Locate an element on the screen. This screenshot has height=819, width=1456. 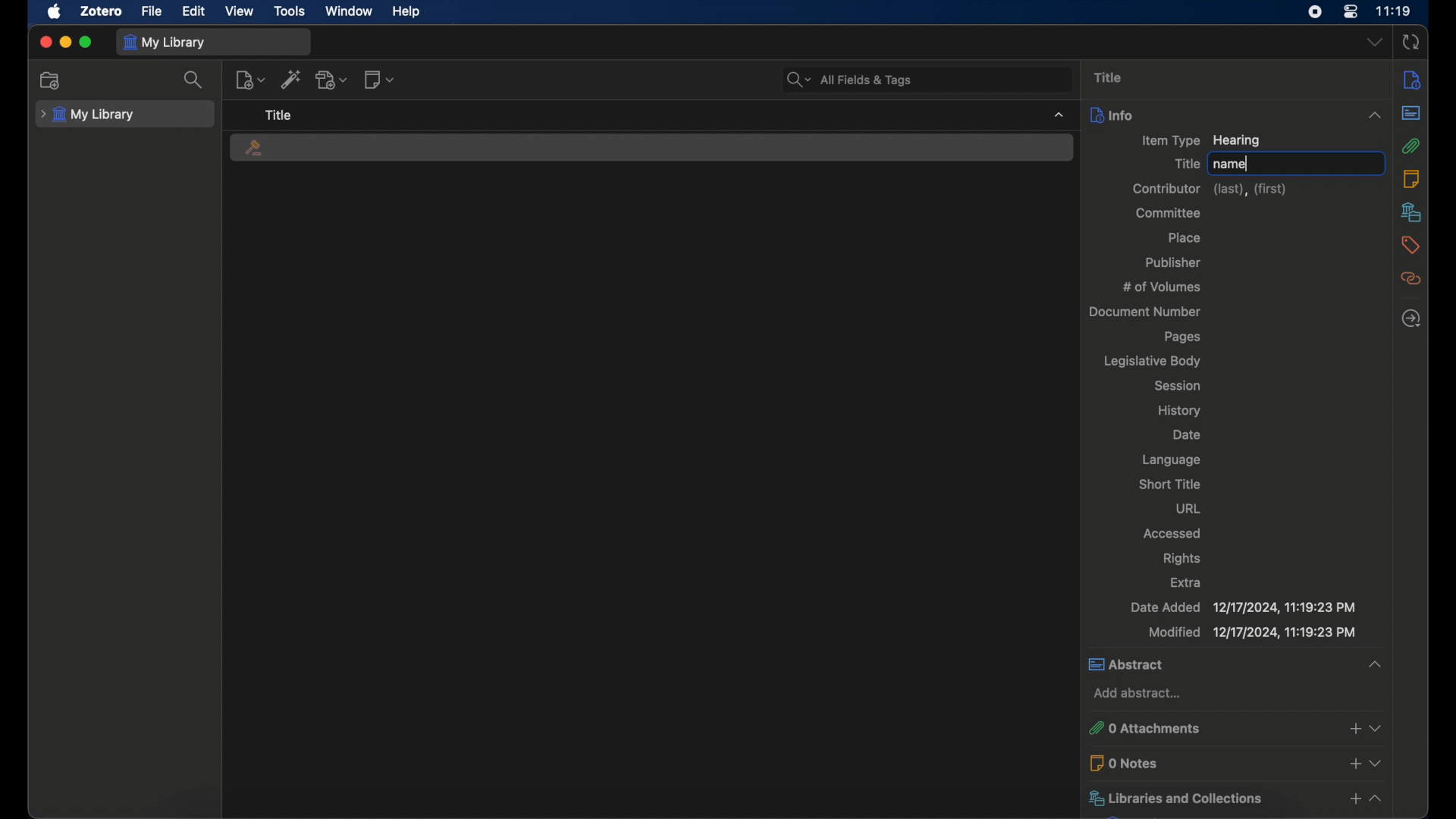
file is located at coordinates (152, 12).